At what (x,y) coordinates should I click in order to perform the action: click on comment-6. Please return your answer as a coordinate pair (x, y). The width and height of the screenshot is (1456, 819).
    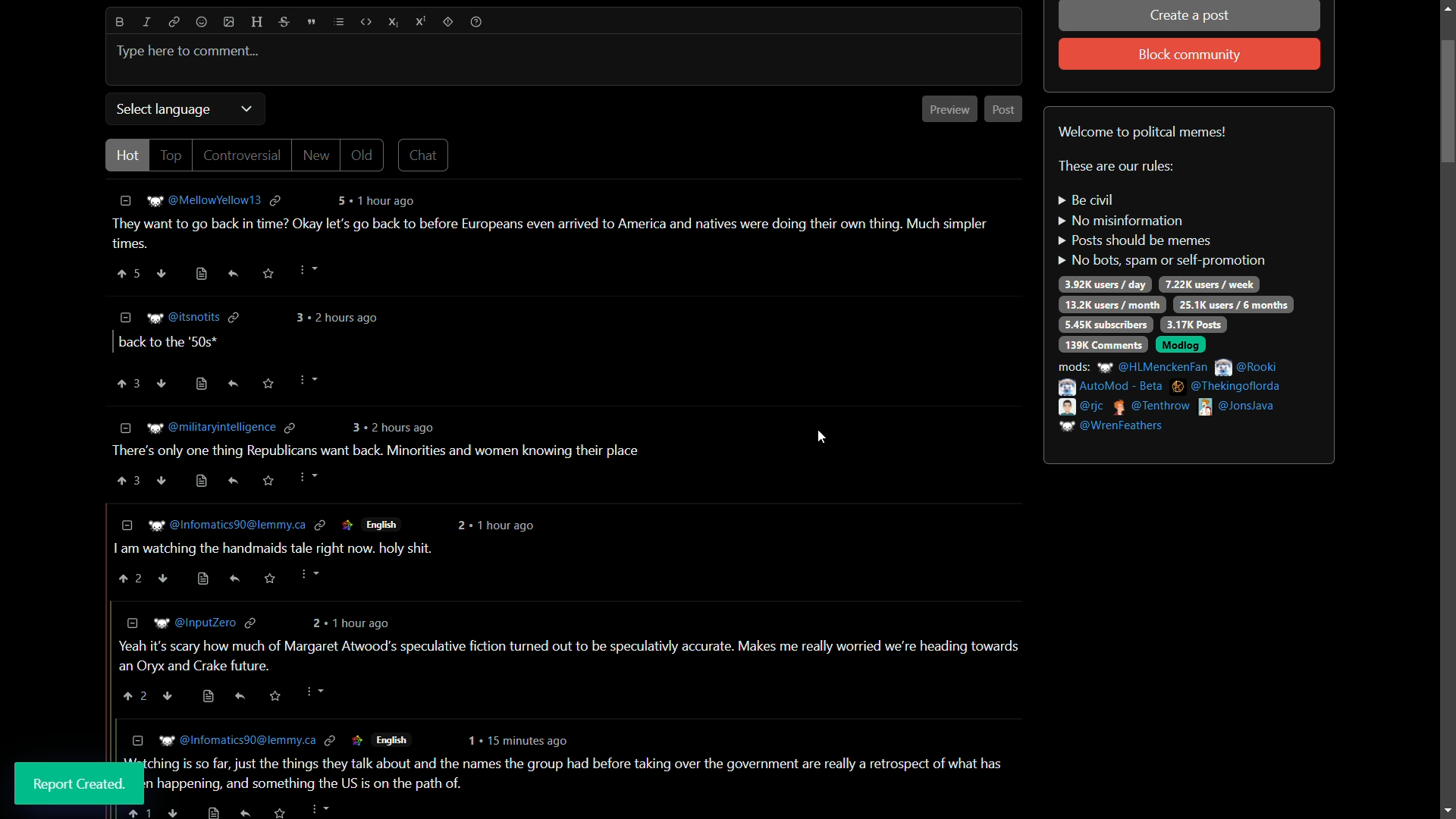
    Looking at the image, I should click on (580, 776).